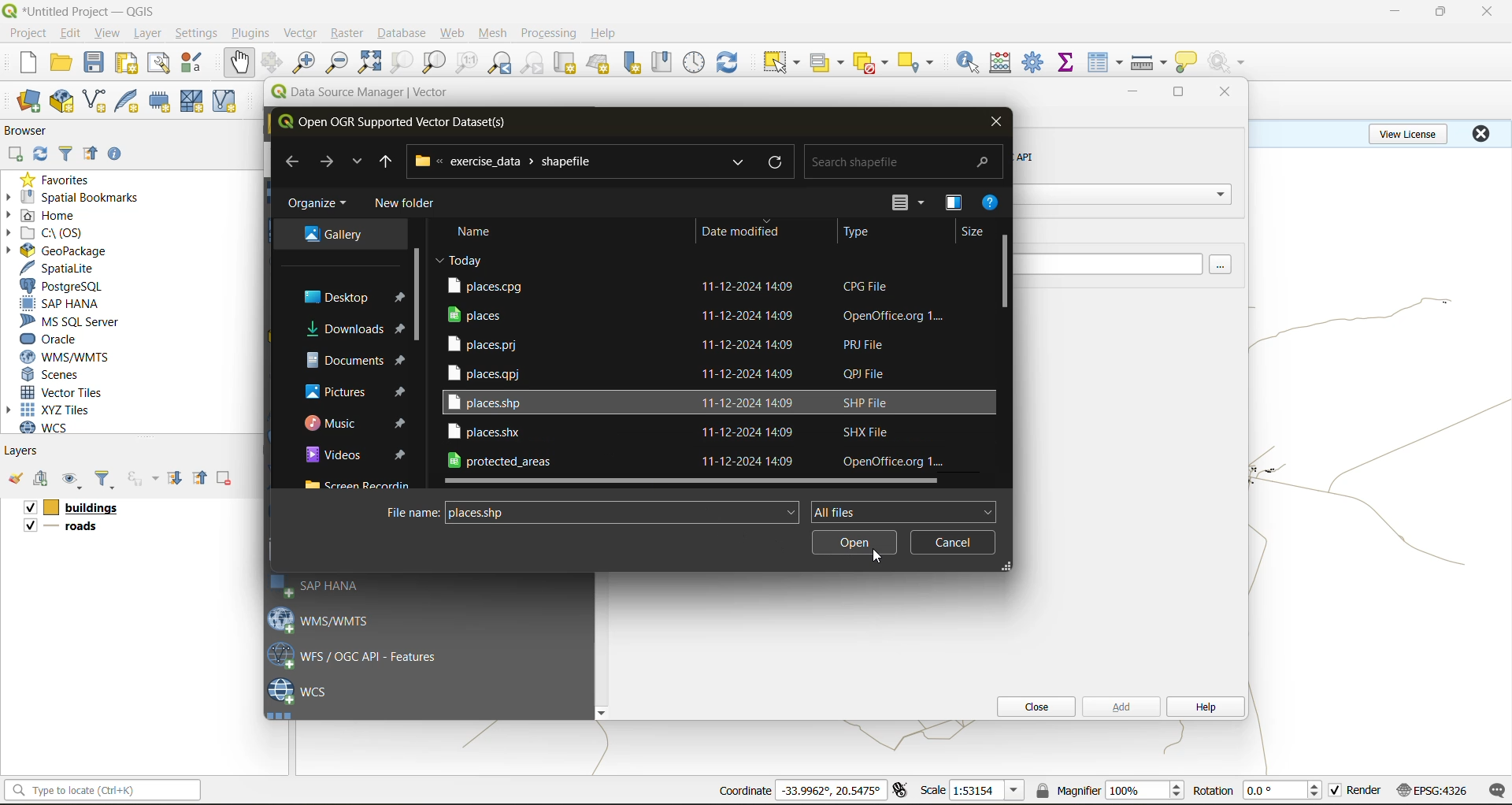  Describe the element at coordinates (973, 233) in the screenshot. I see `size` at that location.